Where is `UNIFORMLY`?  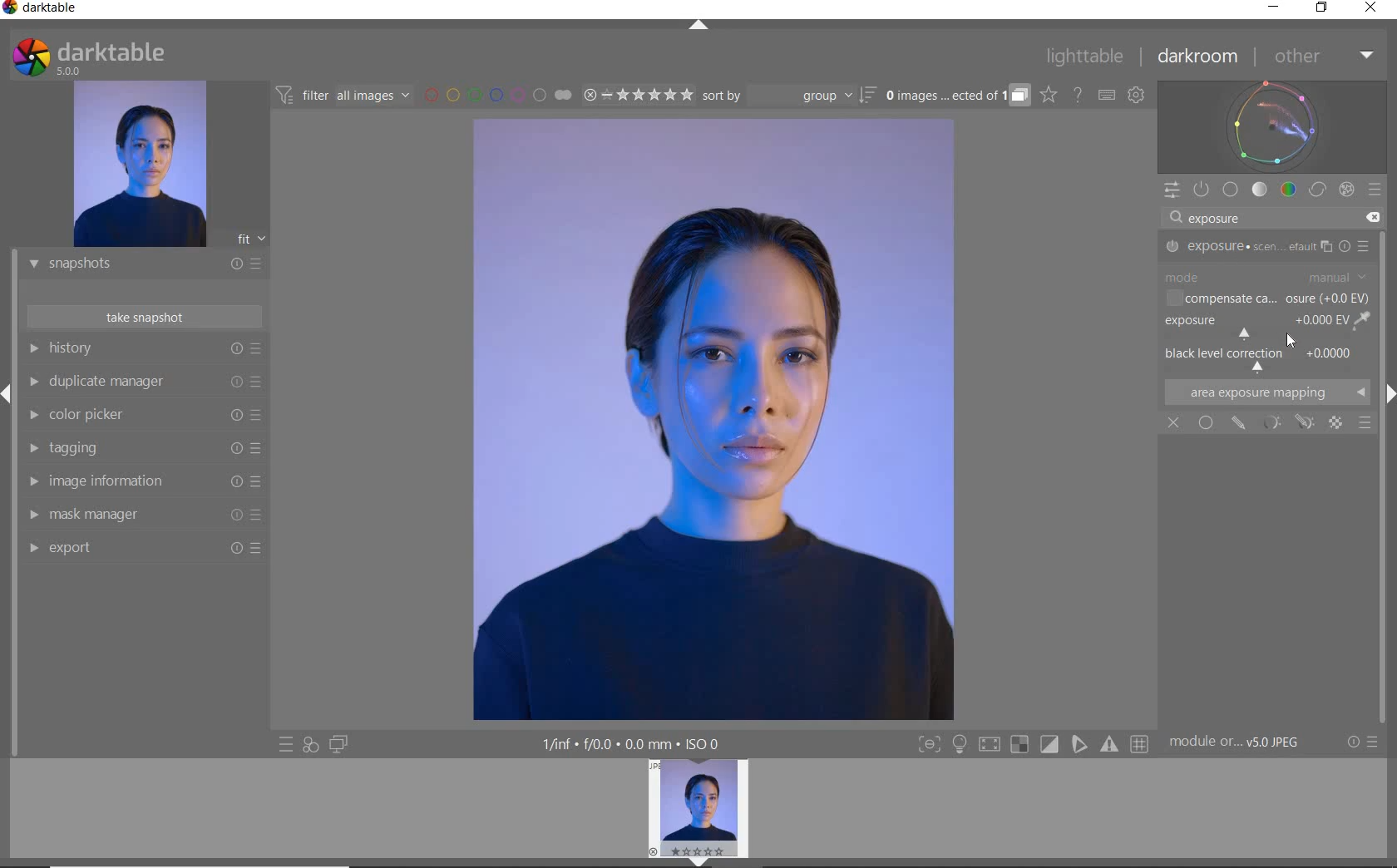 UNIFORMLY is located at coordinates (1206, 422).